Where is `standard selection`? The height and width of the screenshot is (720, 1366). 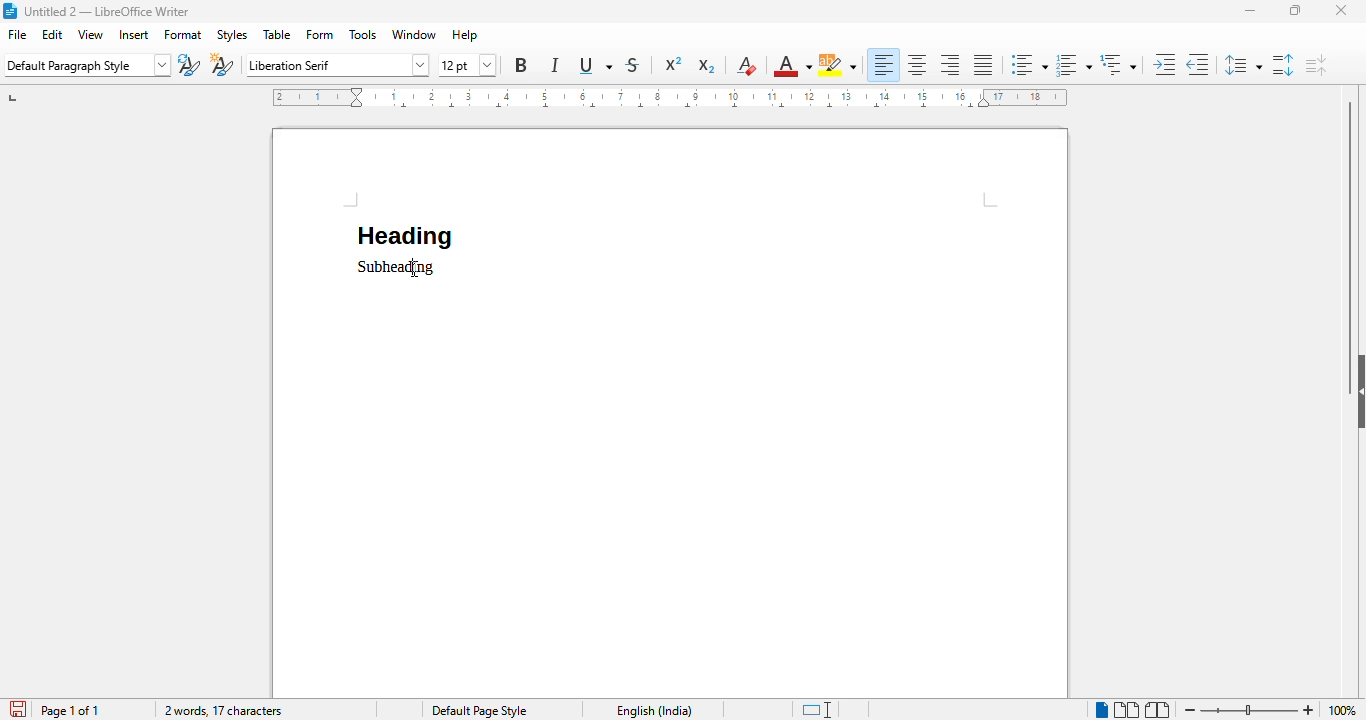
standard selection is located at coordinates (817, 710).